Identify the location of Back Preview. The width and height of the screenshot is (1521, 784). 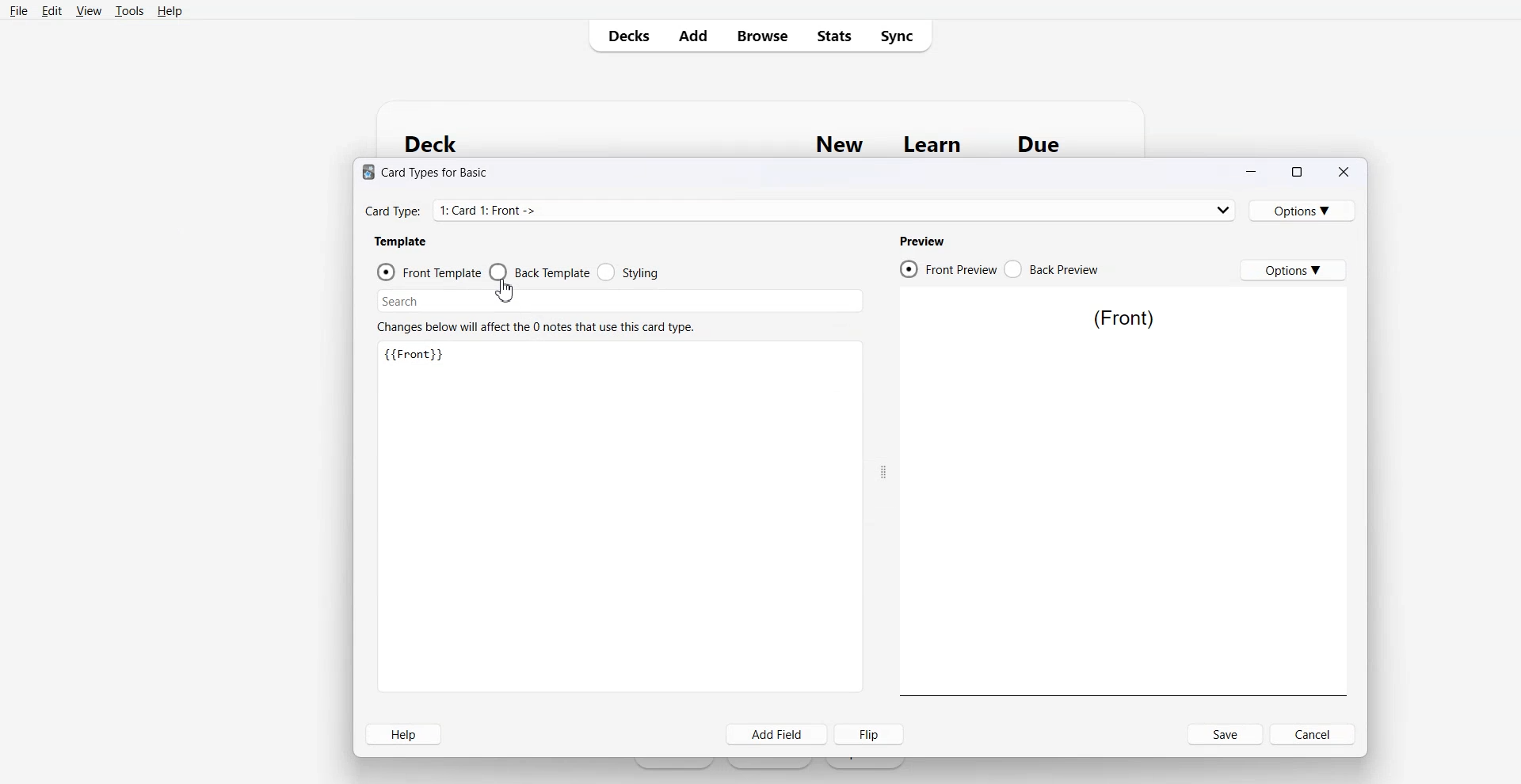
(1051, 268).